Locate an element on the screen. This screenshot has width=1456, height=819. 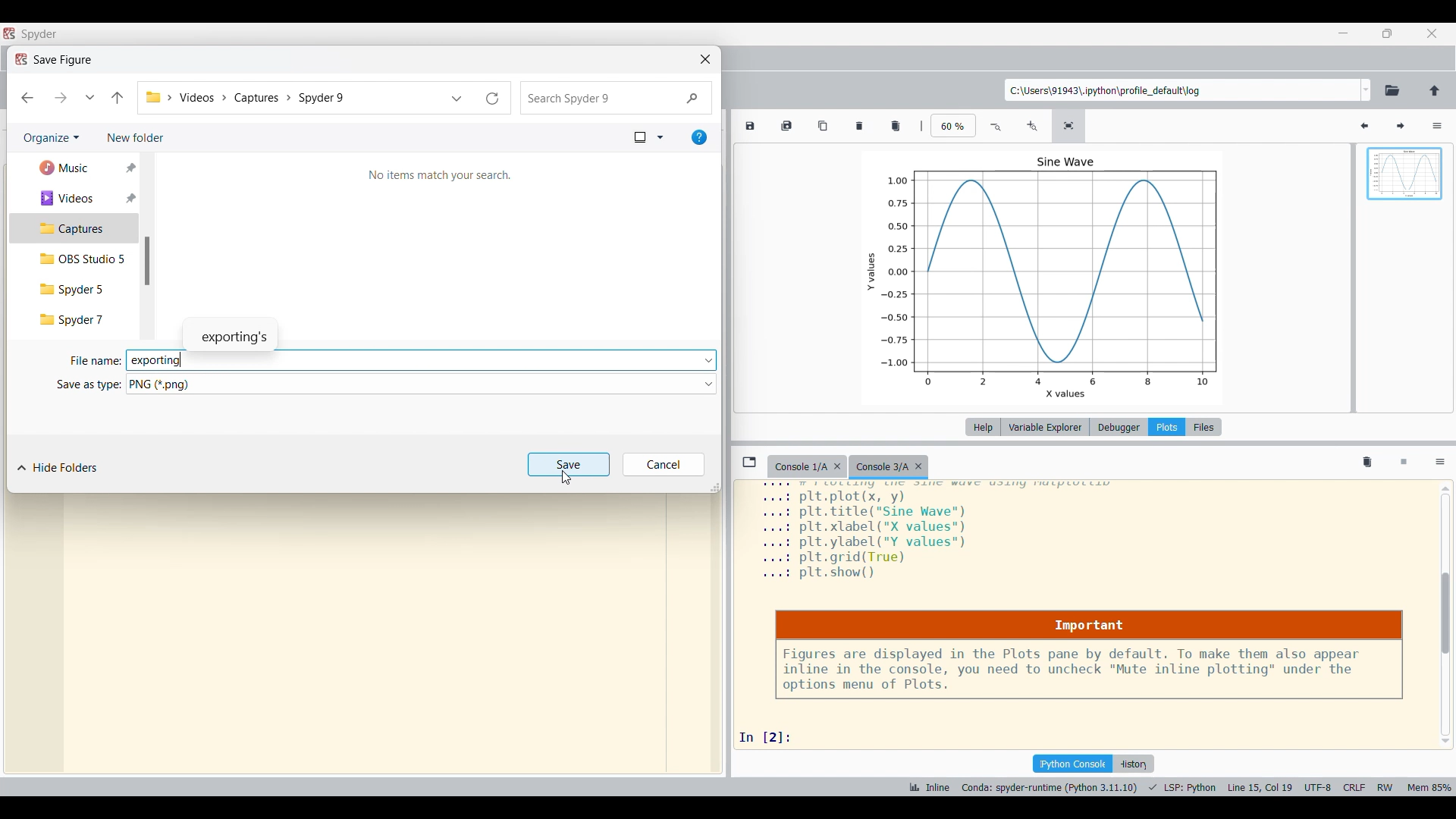
Forward is located at coordinates (61, 99).